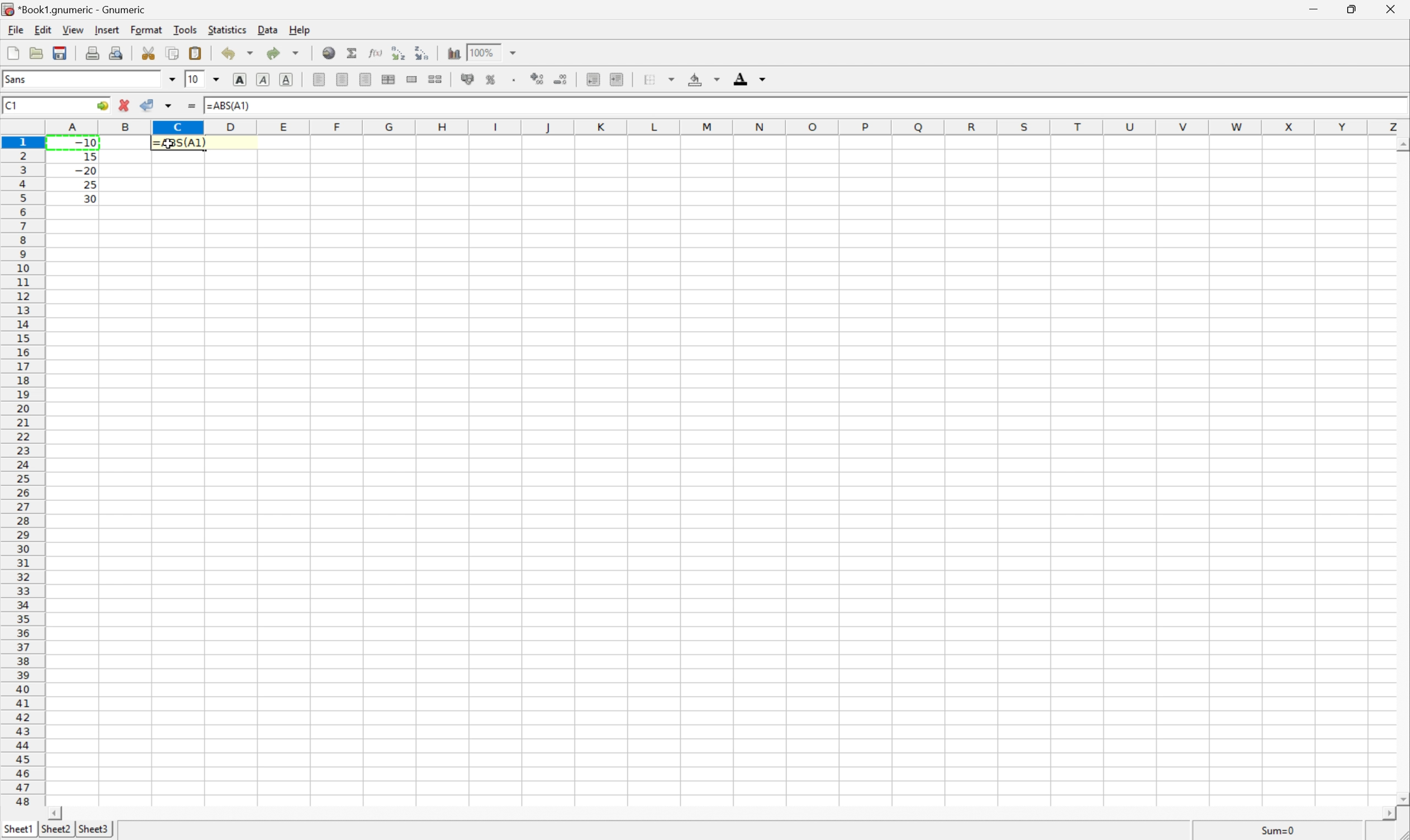 The width and height of the screenshot is (1410, 840). I want to click on 15, so click(87, 155).